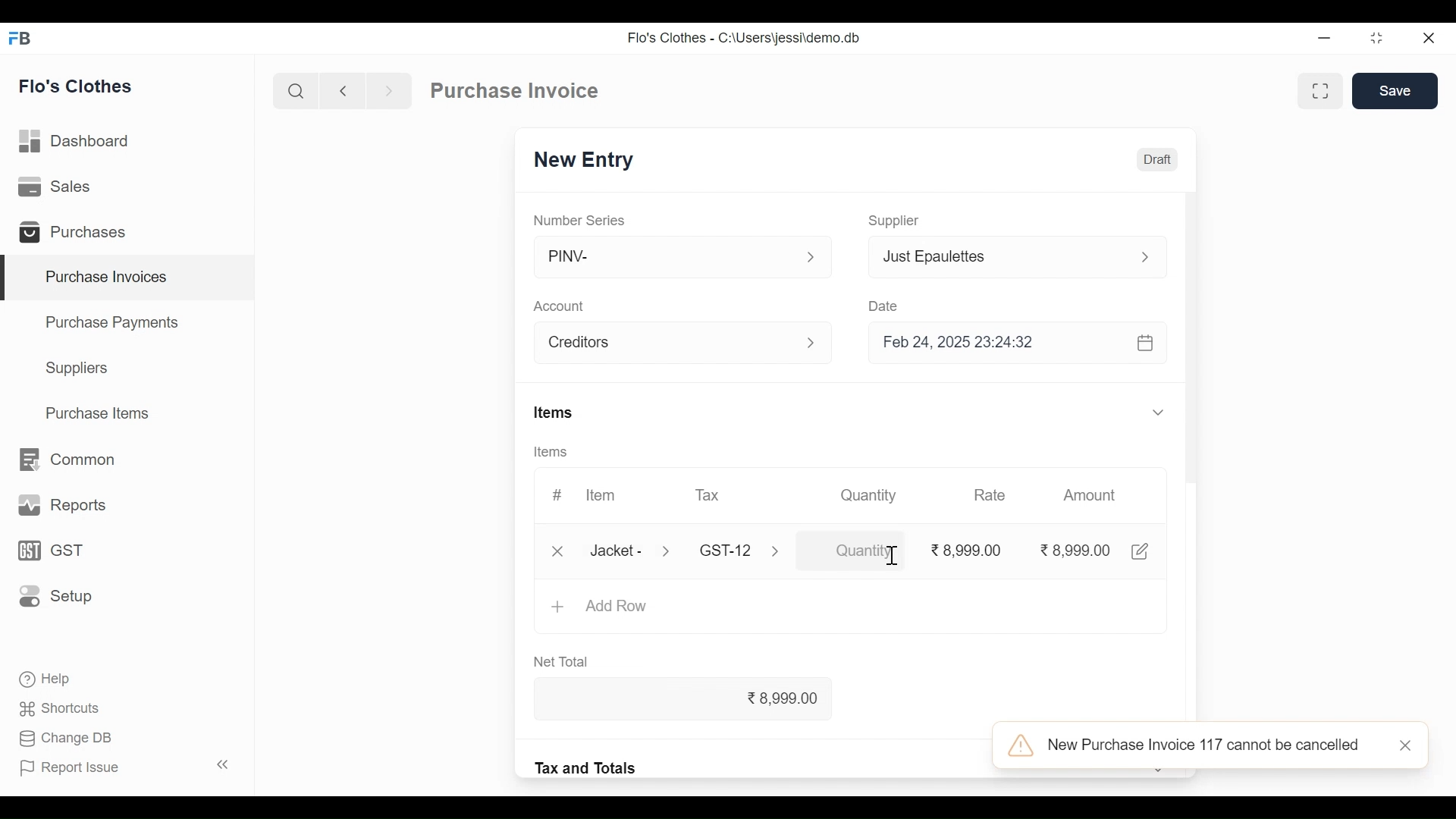 The width and height of the screenshot is (1456, 819). What do you see at coordinates (130, 278) in the screenshot?
I see `Purchase Invoices` at bounding box center [130, 278].